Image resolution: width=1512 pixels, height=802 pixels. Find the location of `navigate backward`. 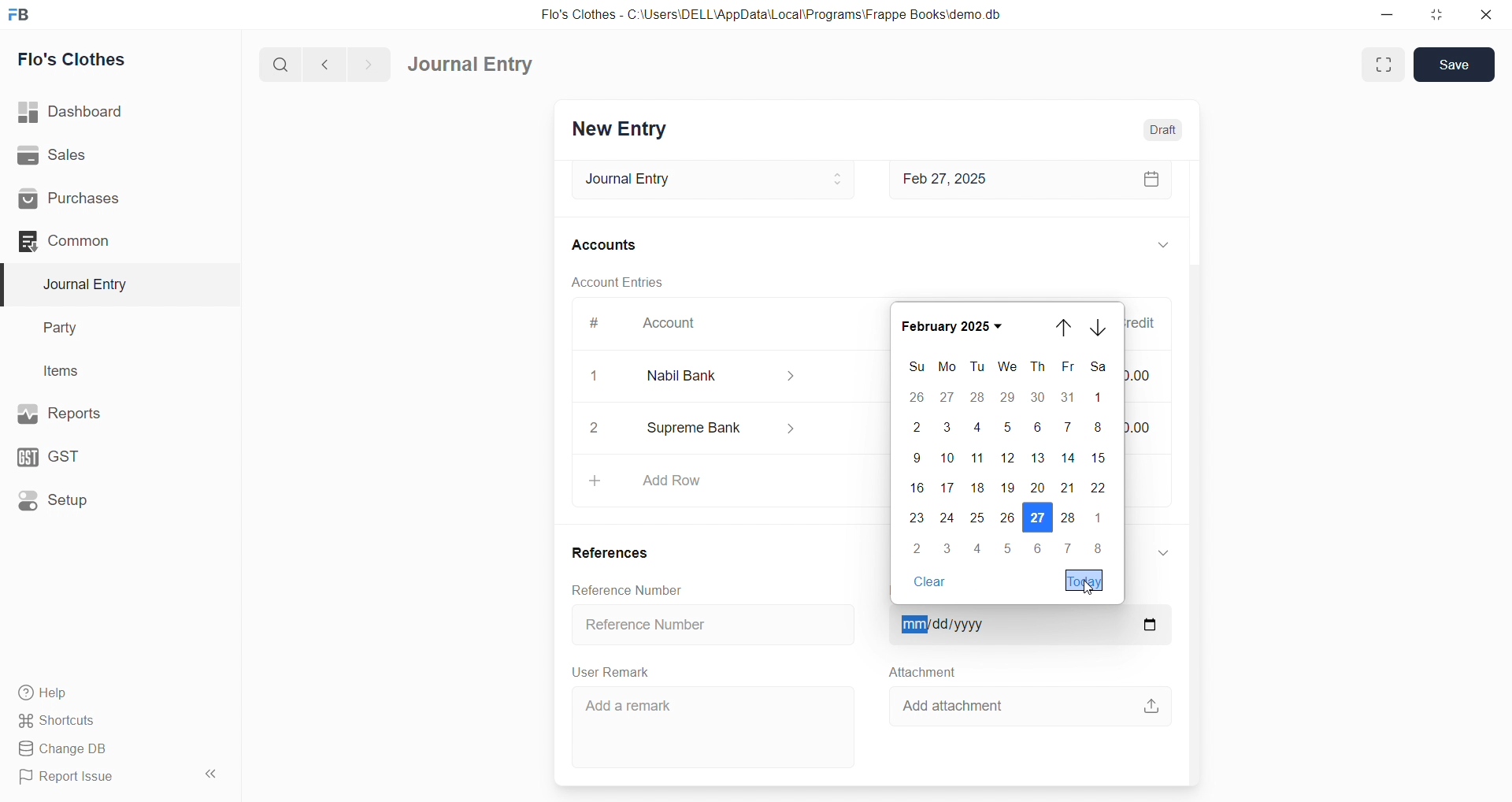

navigate backward is located at coordinates (327, 65).